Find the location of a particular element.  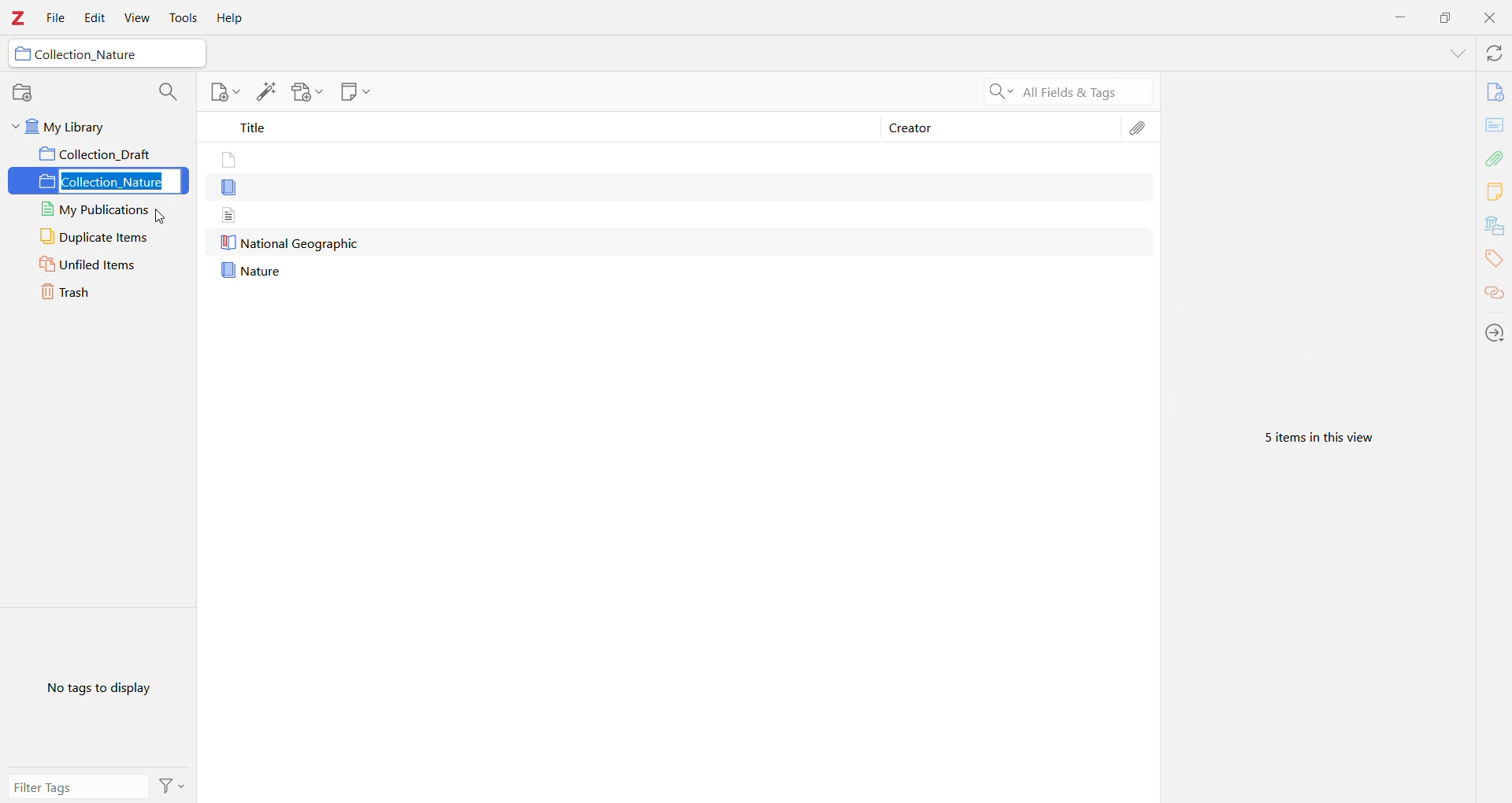

Close is located at coordinates (1490, 18).